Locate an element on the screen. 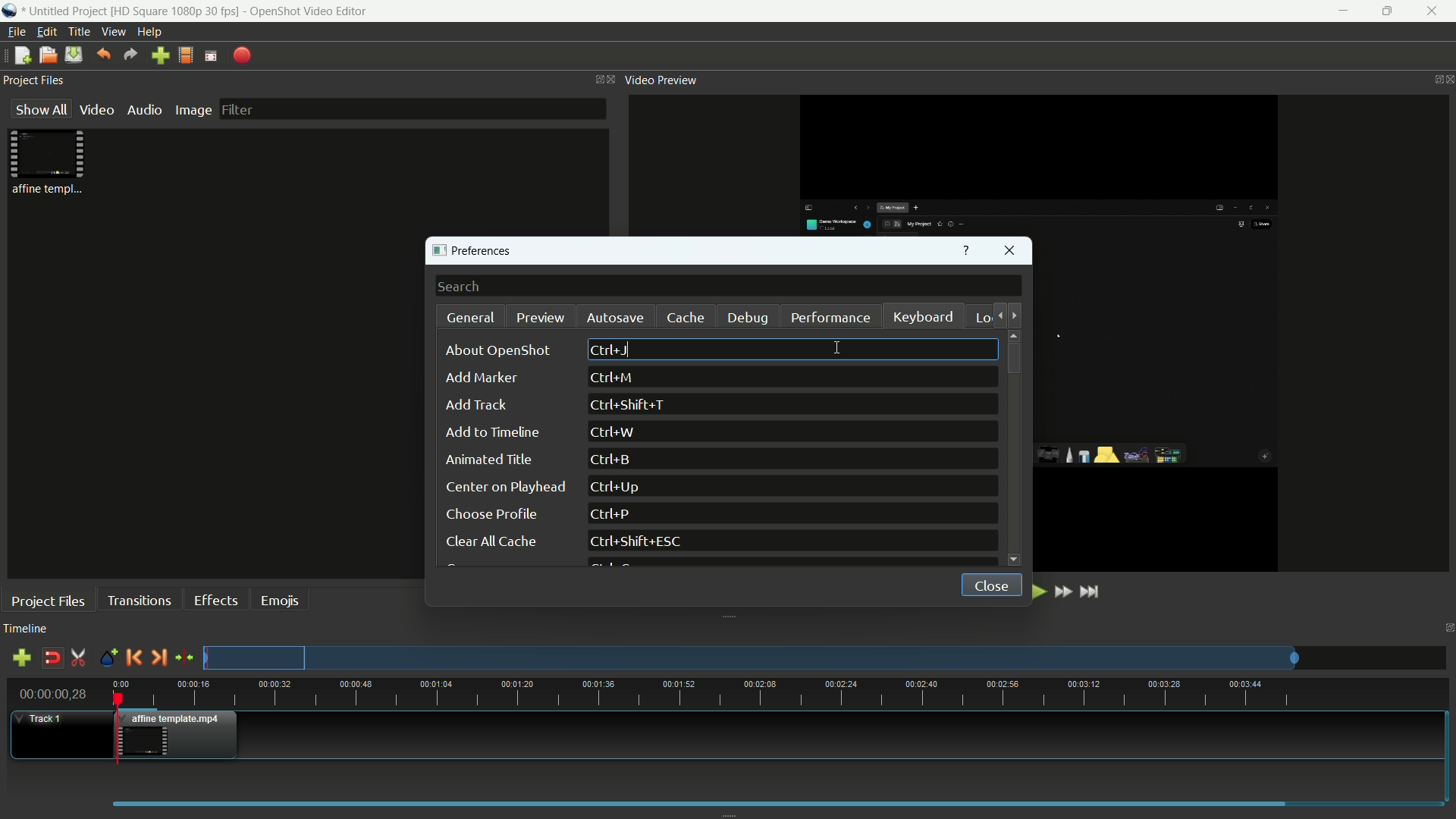  app name is located at coordinates (308, 11).